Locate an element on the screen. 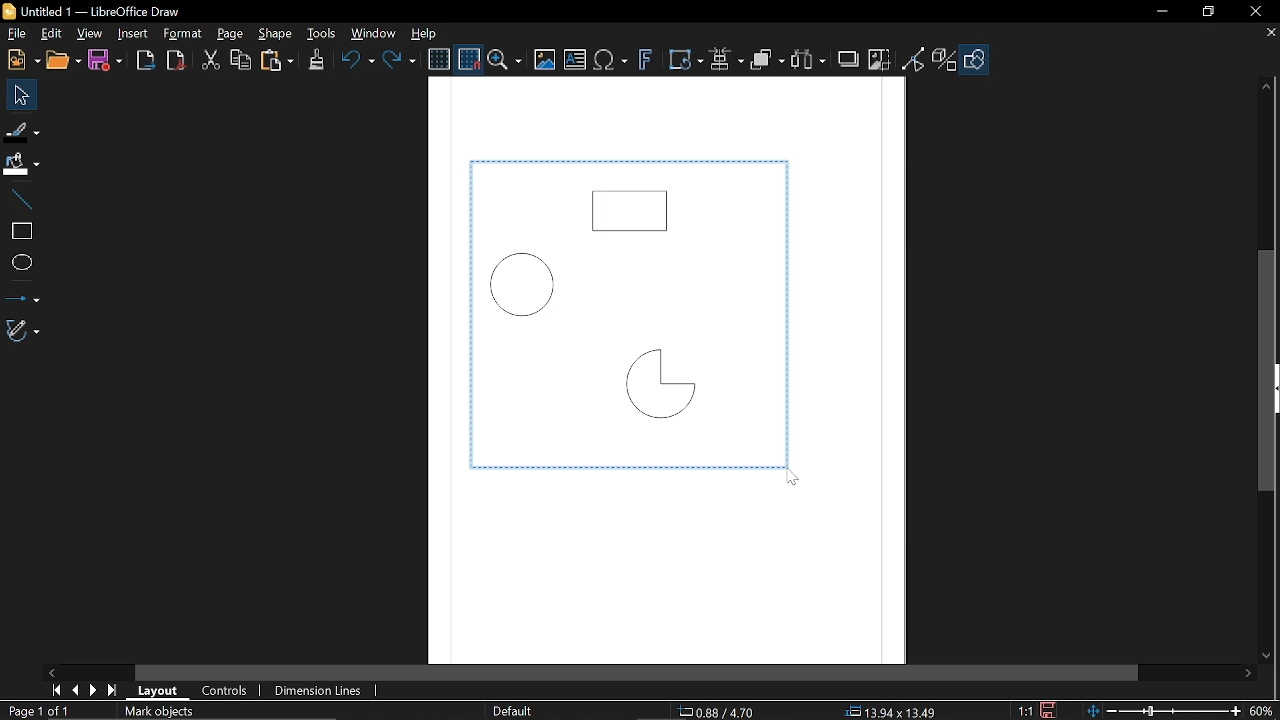 The image size is (1280, 720). Toggle point of view is located at coordinates (913, 59).